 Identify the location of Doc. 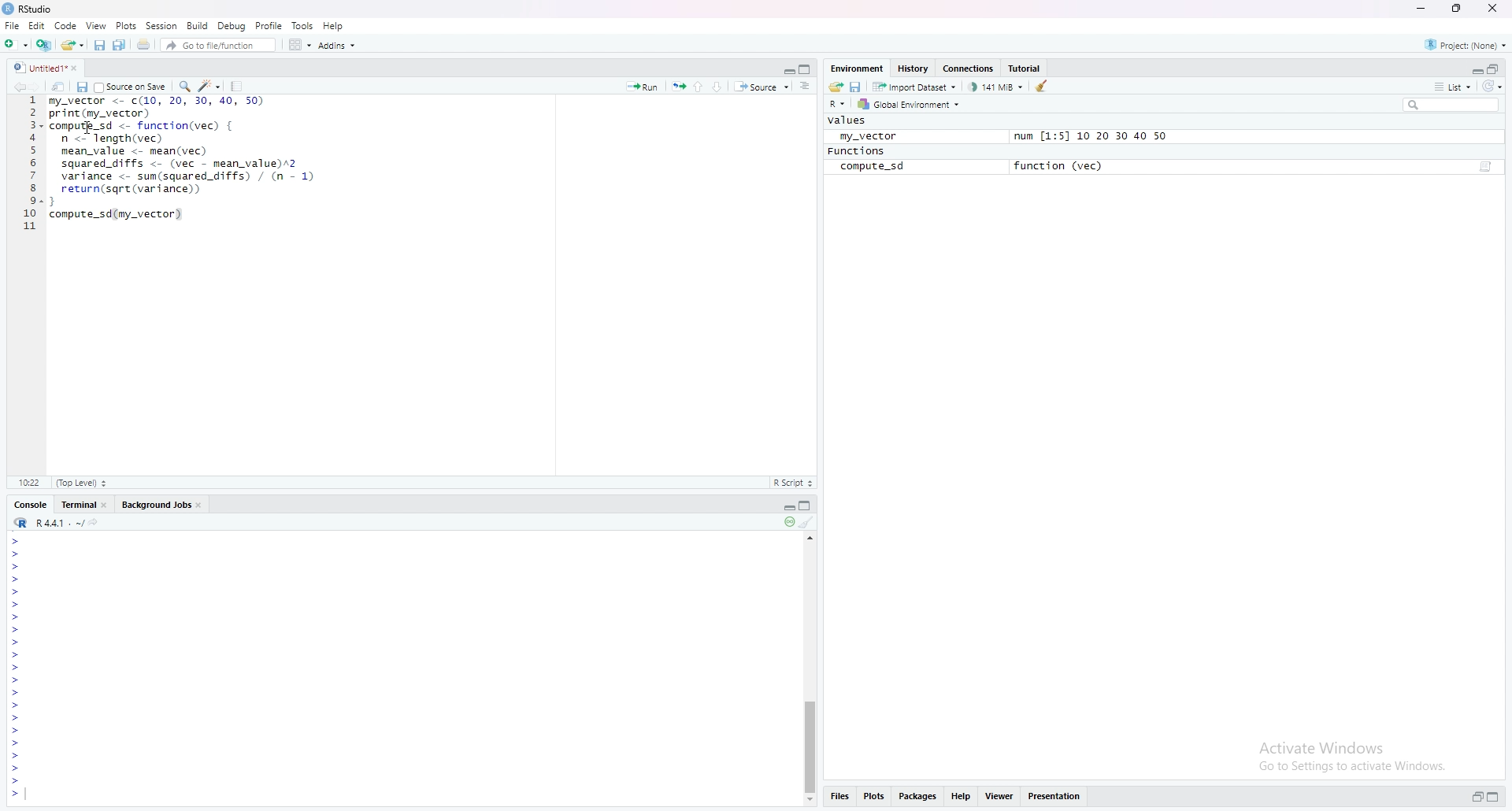
(1484, 168).